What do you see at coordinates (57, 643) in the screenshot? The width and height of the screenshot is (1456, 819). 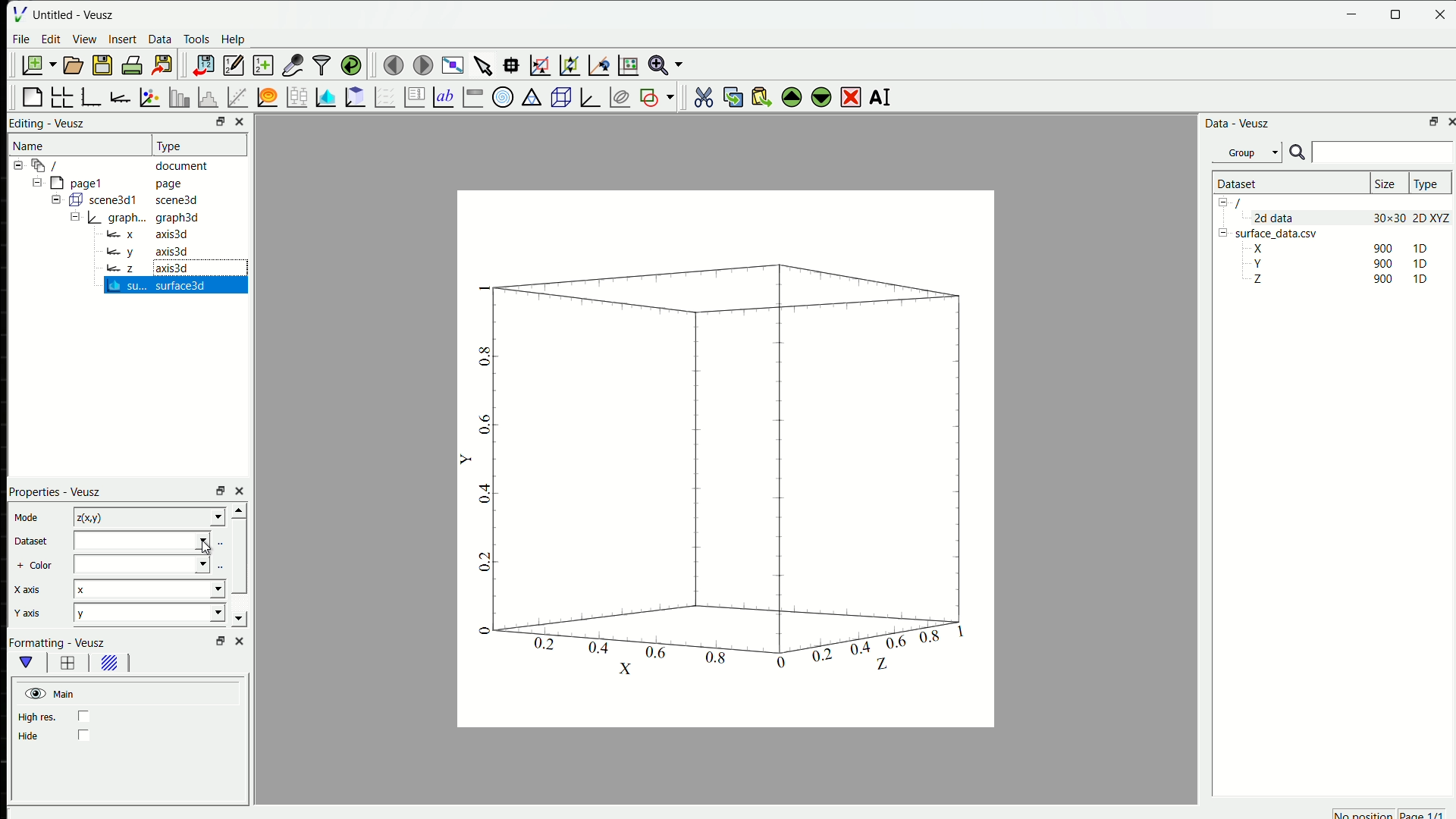 I see `Formatting - Veusz` at bounding box center [57, 643].